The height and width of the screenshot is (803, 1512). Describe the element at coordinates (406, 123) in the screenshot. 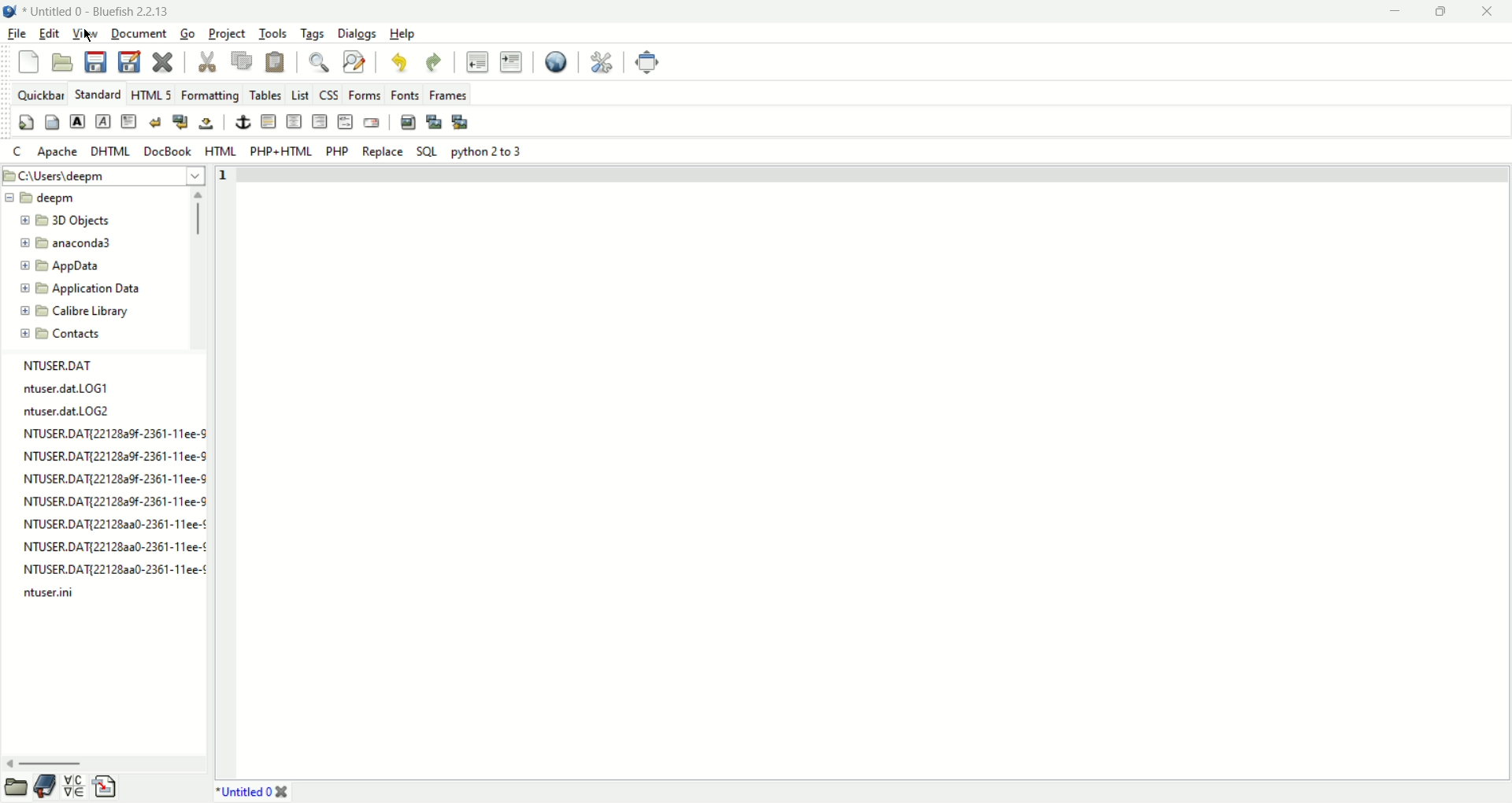

I see `insert image` at that location.